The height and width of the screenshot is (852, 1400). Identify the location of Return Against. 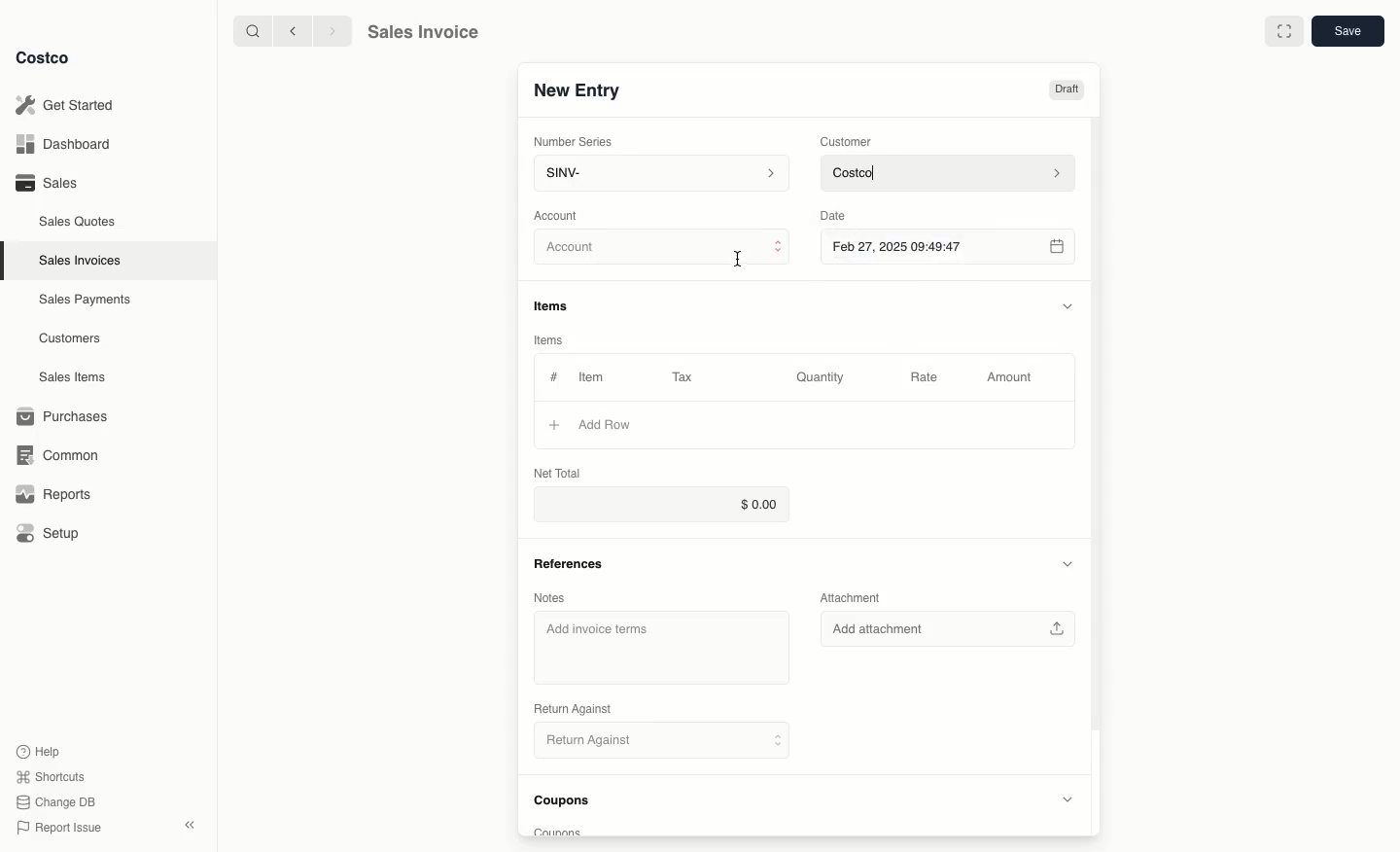
(651, 741).